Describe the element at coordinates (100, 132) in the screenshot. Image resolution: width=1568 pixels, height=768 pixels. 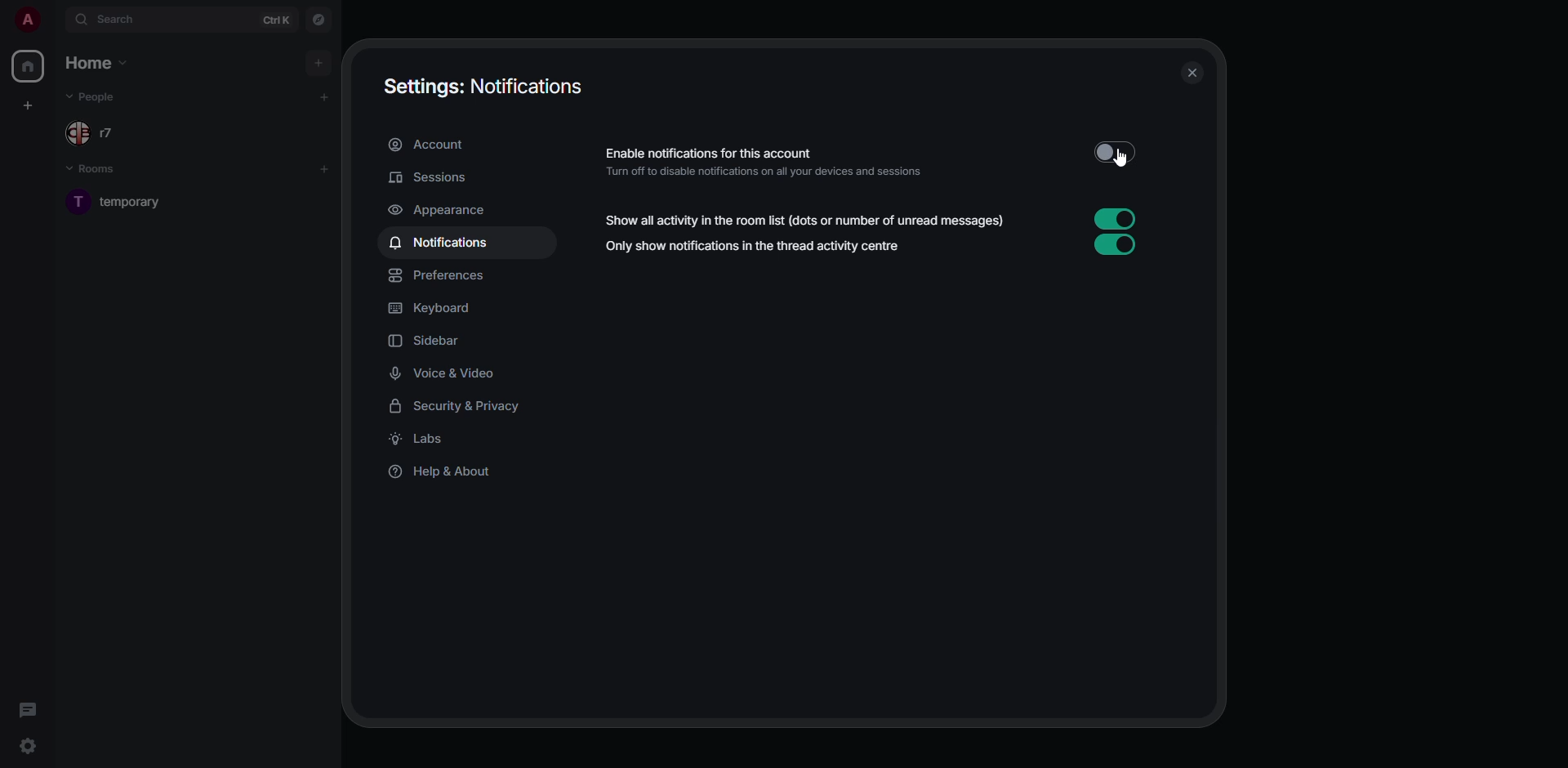
I see `people` at that location.